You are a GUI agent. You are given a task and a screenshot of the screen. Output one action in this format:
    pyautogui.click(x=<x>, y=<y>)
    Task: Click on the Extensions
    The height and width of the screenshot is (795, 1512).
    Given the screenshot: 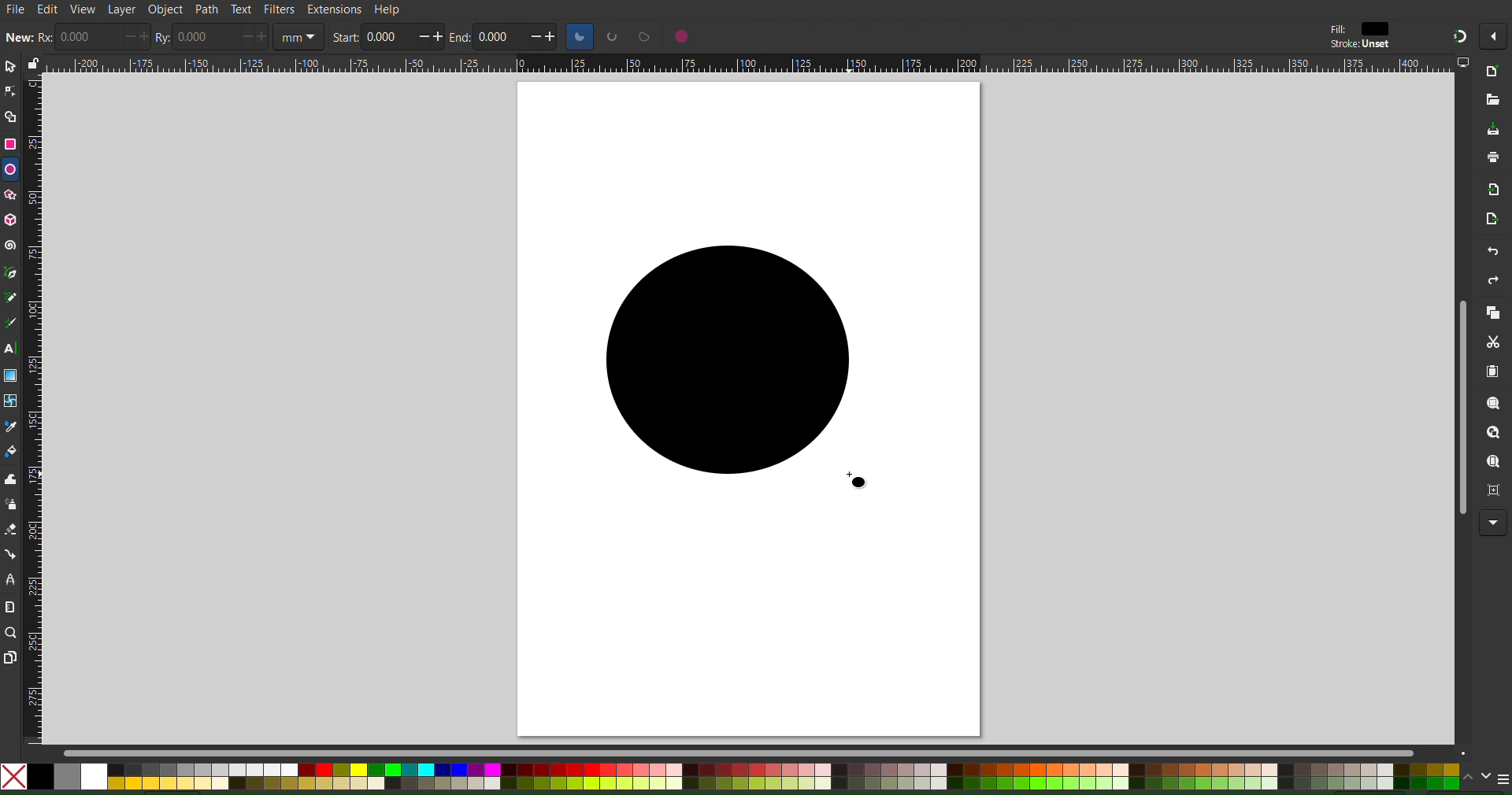 What is the action you would take?
    pyautogui.click(x=333, y=9)
    